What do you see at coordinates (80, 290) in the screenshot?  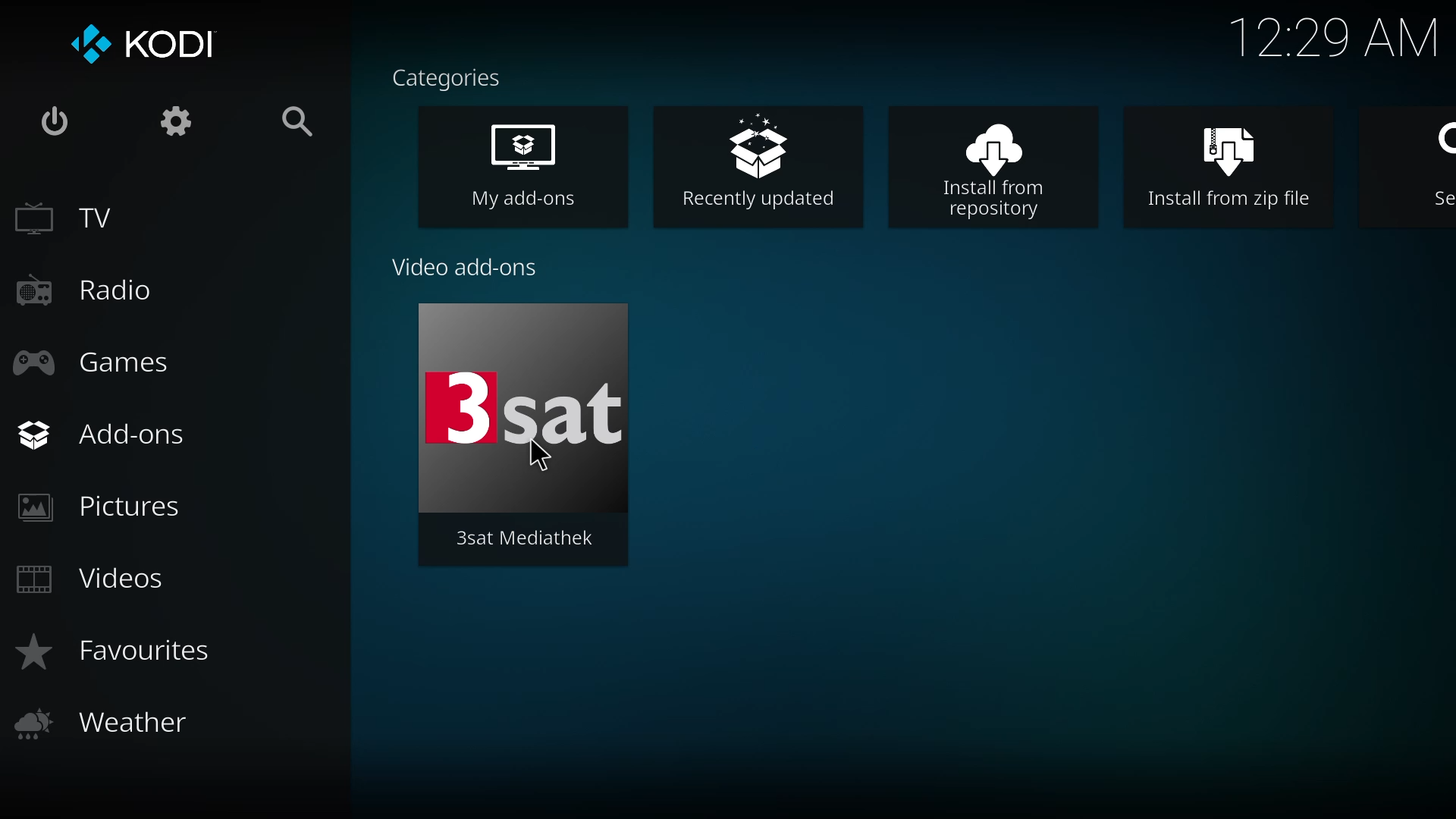 I see `radio` at bounding box center [80, 290].